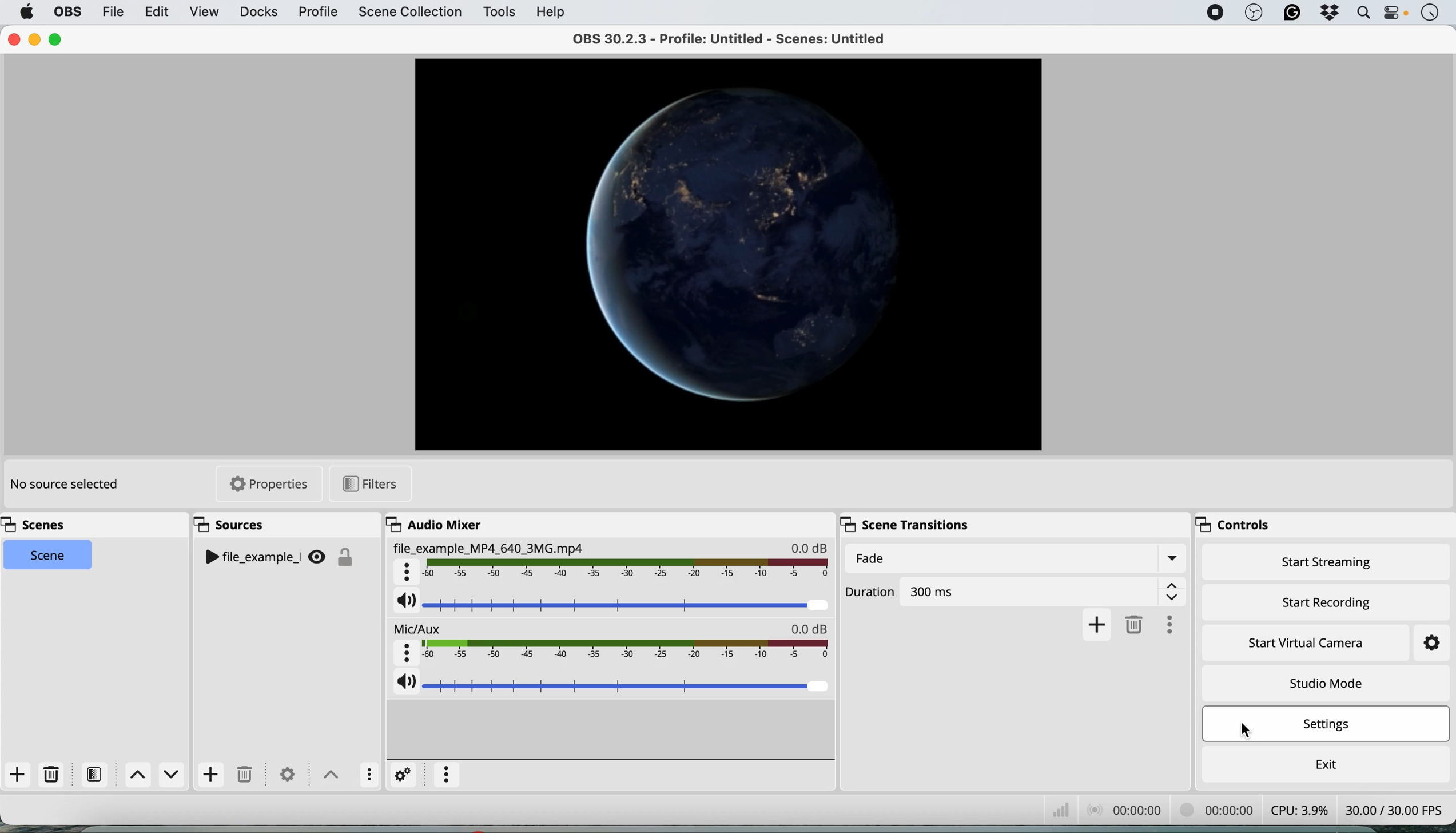 The image size is (1456, 833). I want to click on spotlight search, so click(1362, 13).